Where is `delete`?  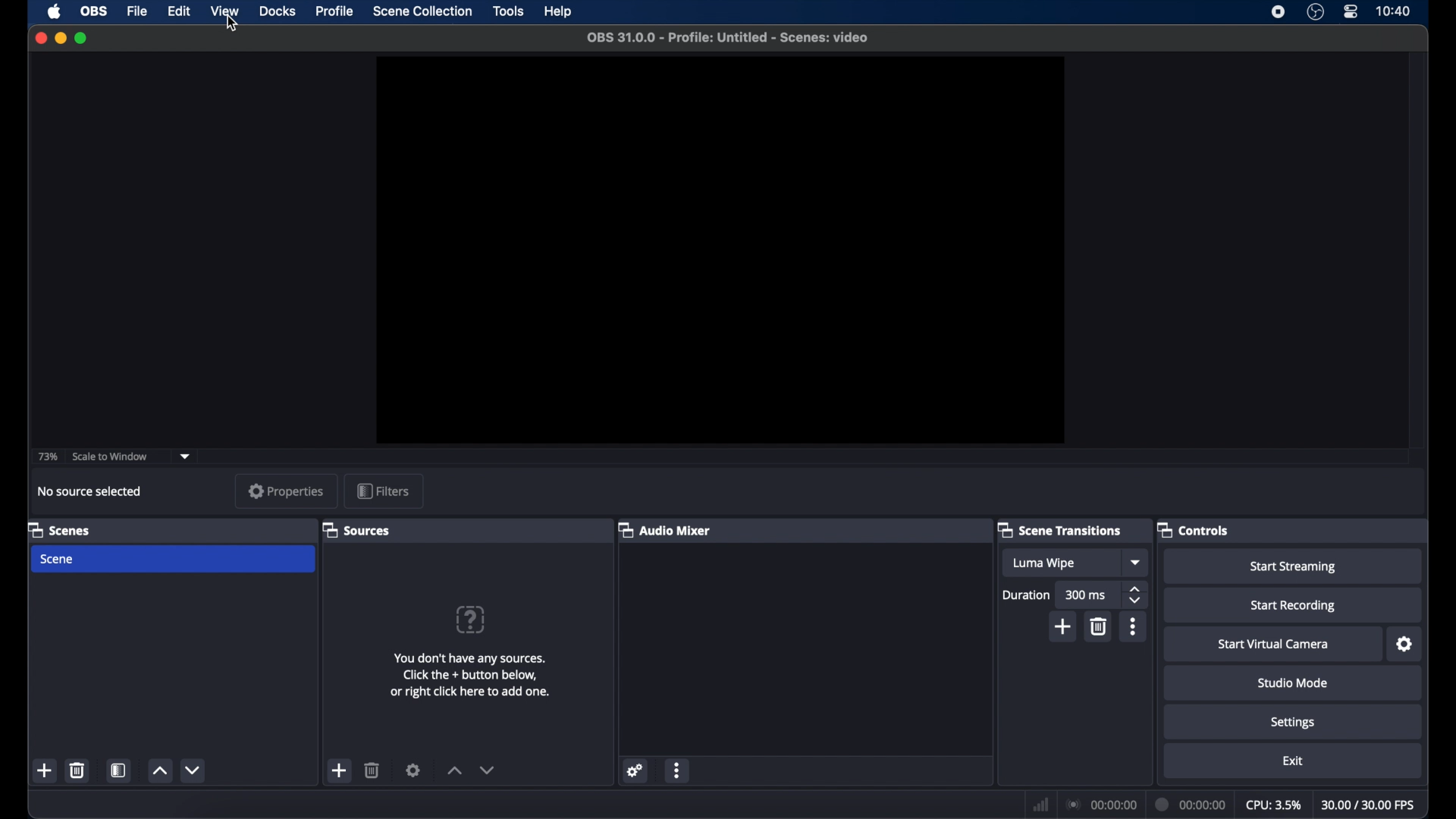 delete is located at coordinates (78, 770).